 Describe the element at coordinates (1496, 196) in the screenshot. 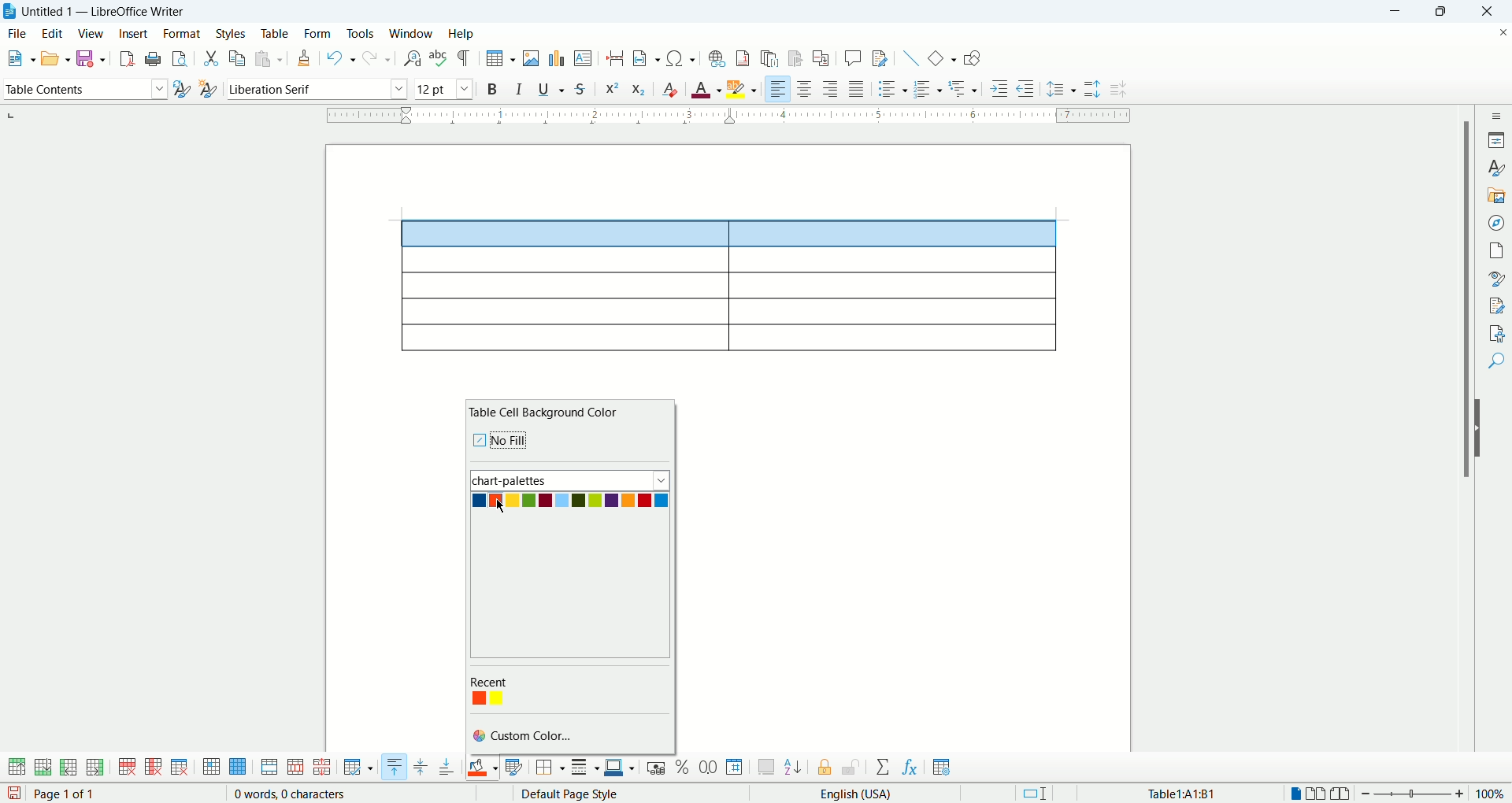

I see `gallery` at that location.